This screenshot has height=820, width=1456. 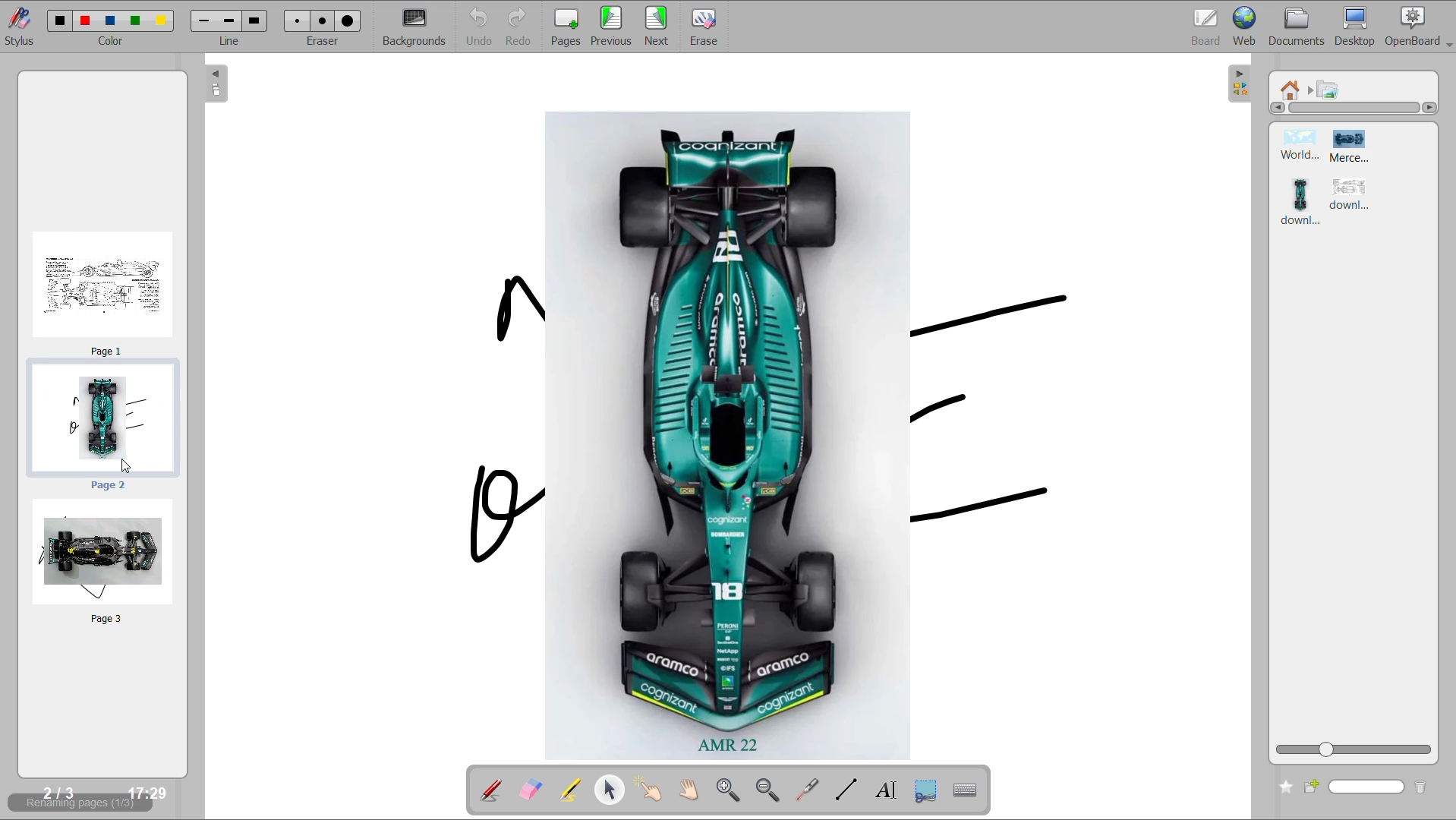 What do you see at coordinates (1237, 85) in the screenshot?
I see `collapse` at bounding box center [1237, 85].